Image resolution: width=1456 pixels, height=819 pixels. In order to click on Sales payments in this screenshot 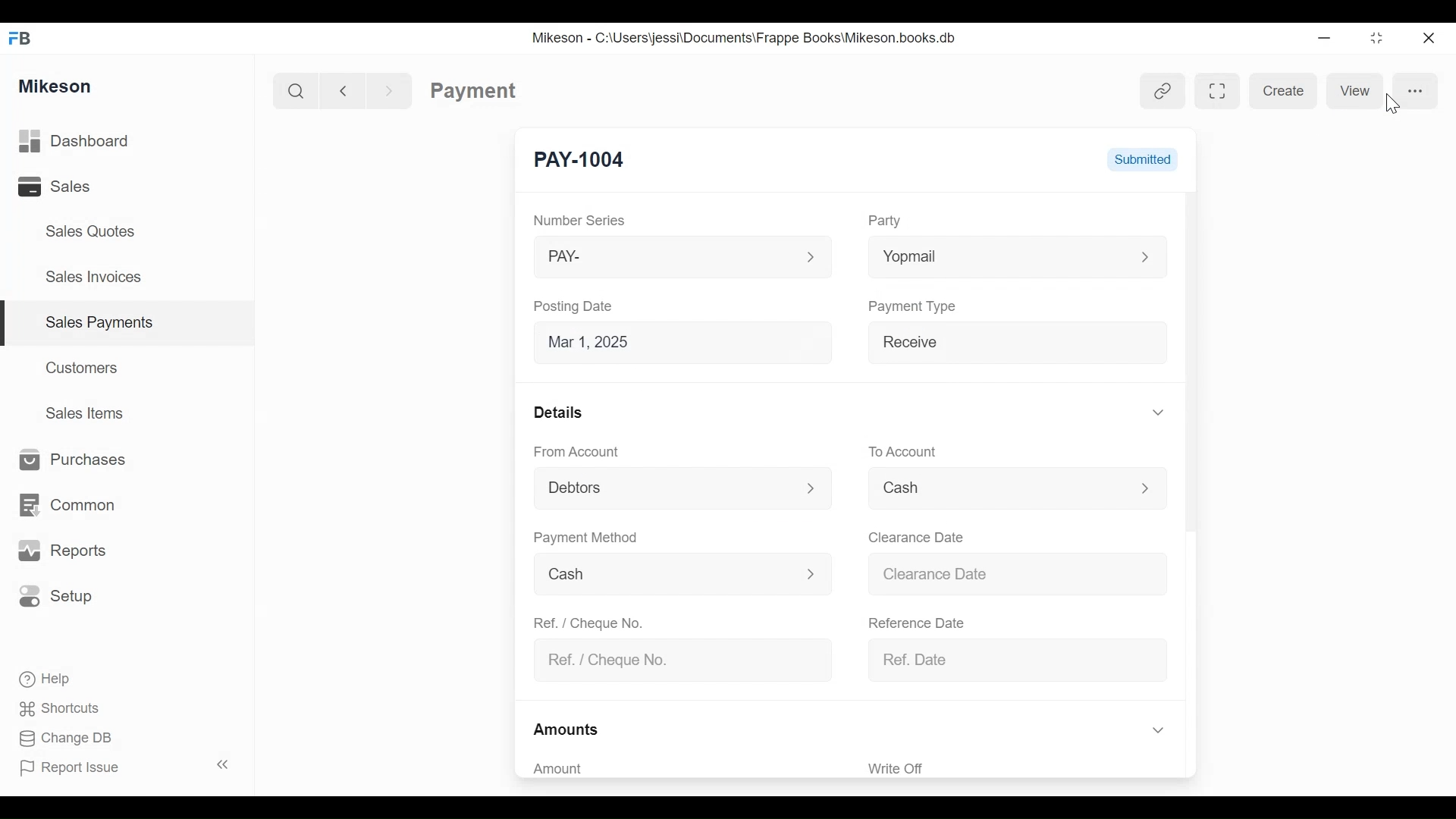, I will do `click(102, 322)`.